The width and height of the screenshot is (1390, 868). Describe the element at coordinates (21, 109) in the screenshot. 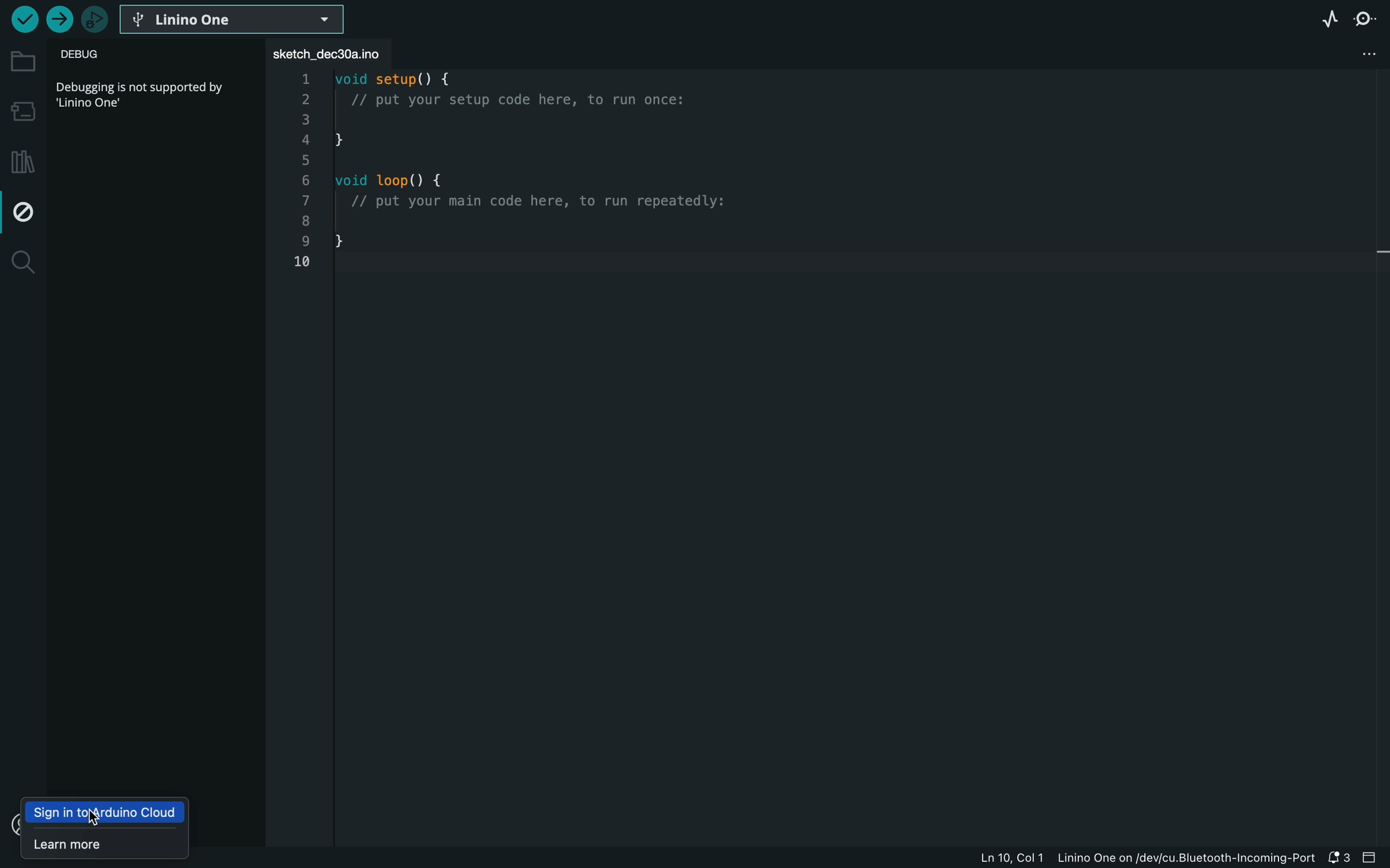

I see `board manager` at that location.